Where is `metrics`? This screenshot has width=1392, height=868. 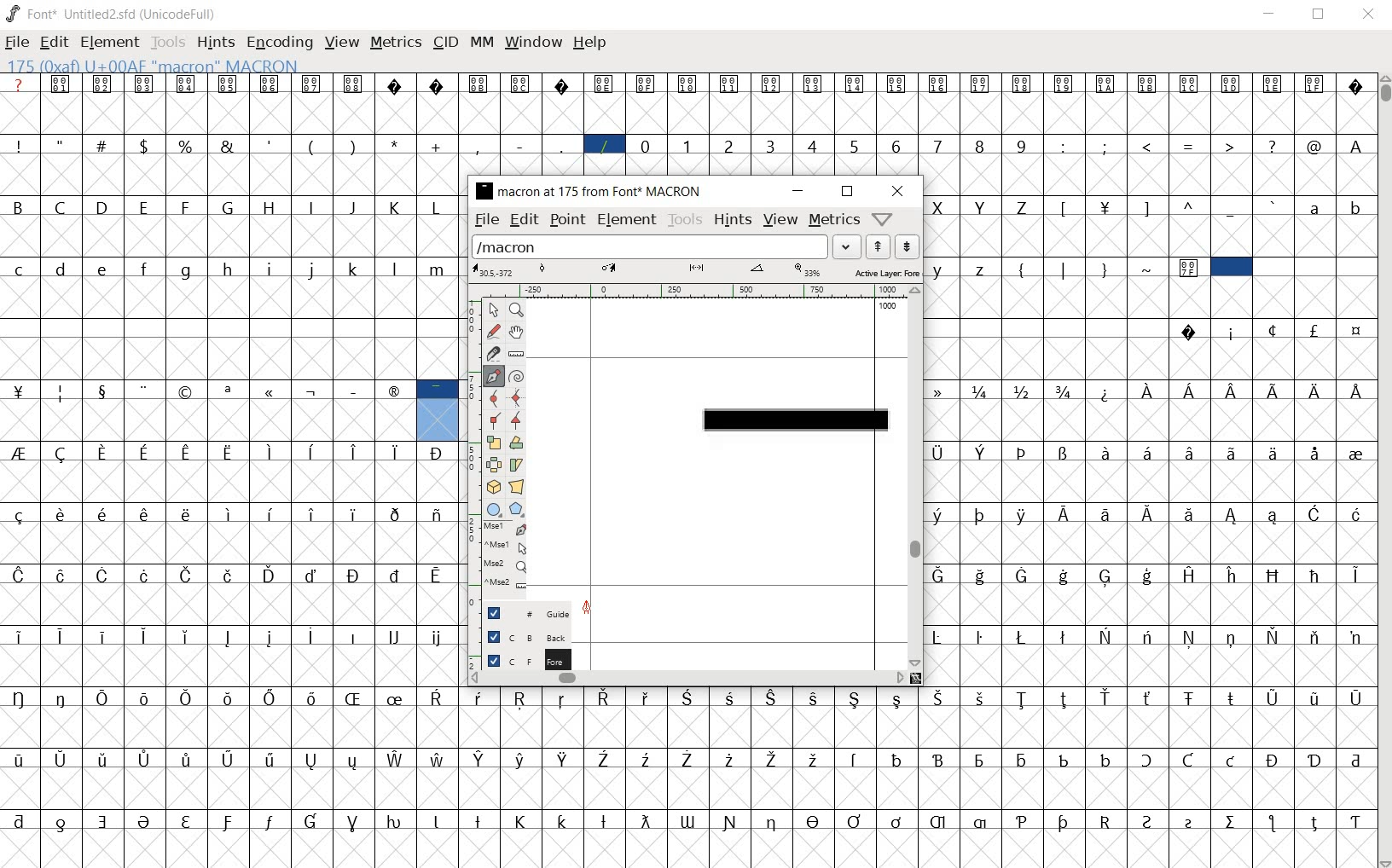
metrics is located at coordinates (397, 42).